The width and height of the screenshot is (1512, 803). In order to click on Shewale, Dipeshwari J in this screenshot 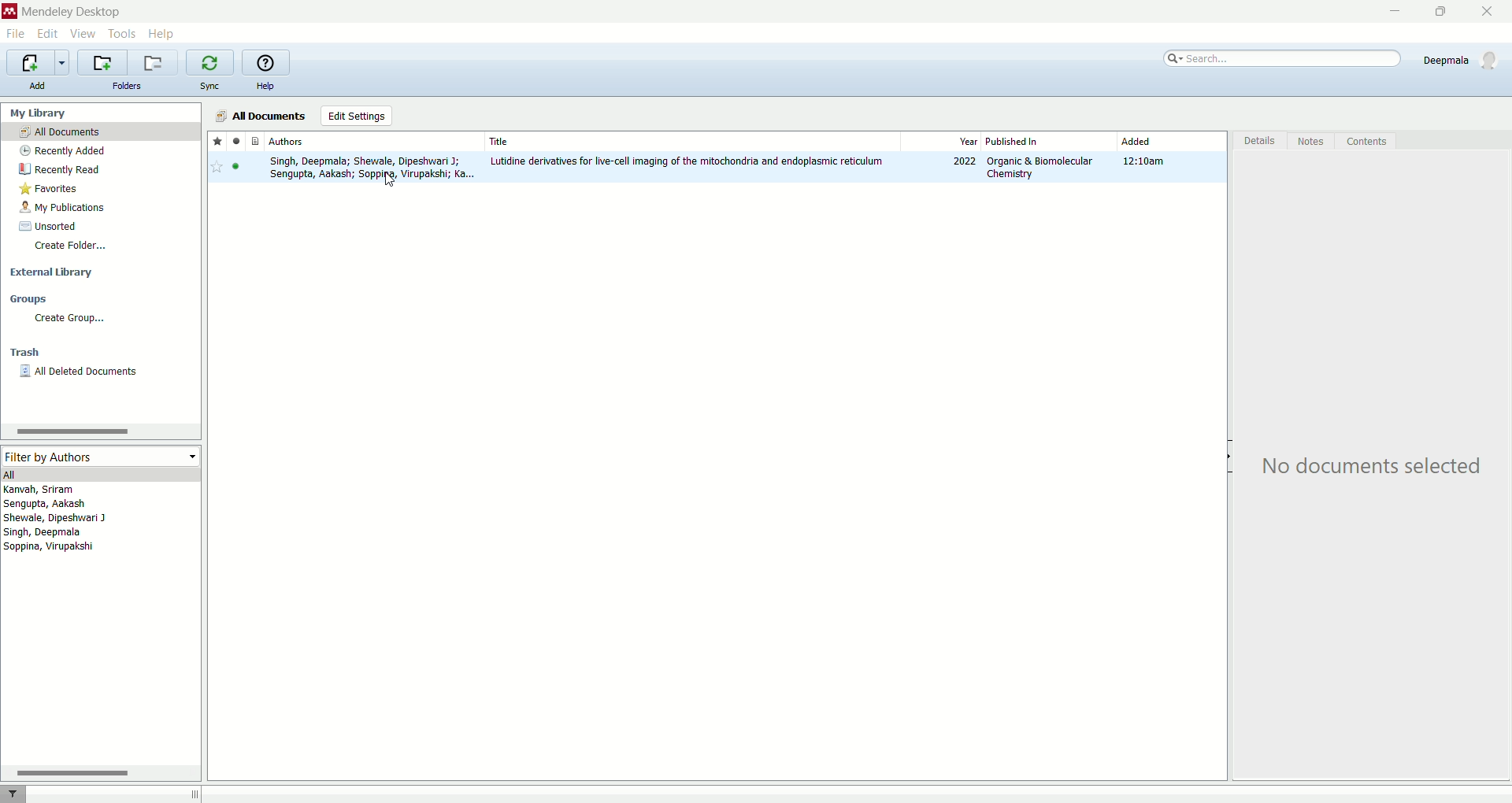, I will do `click(68, 519)`.